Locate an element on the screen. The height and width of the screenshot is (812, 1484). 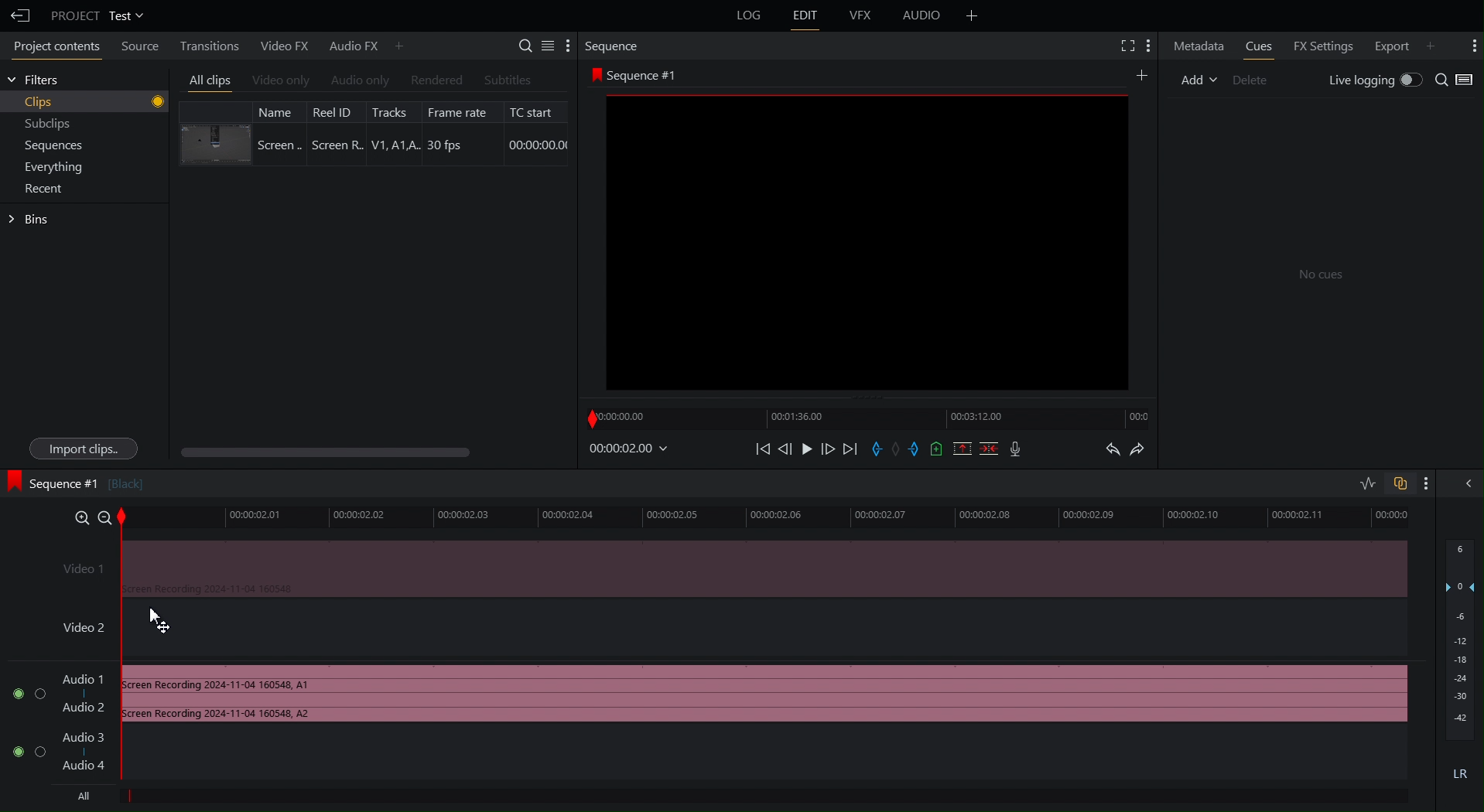
Video 2 Track is located at coordinates (714, 642).